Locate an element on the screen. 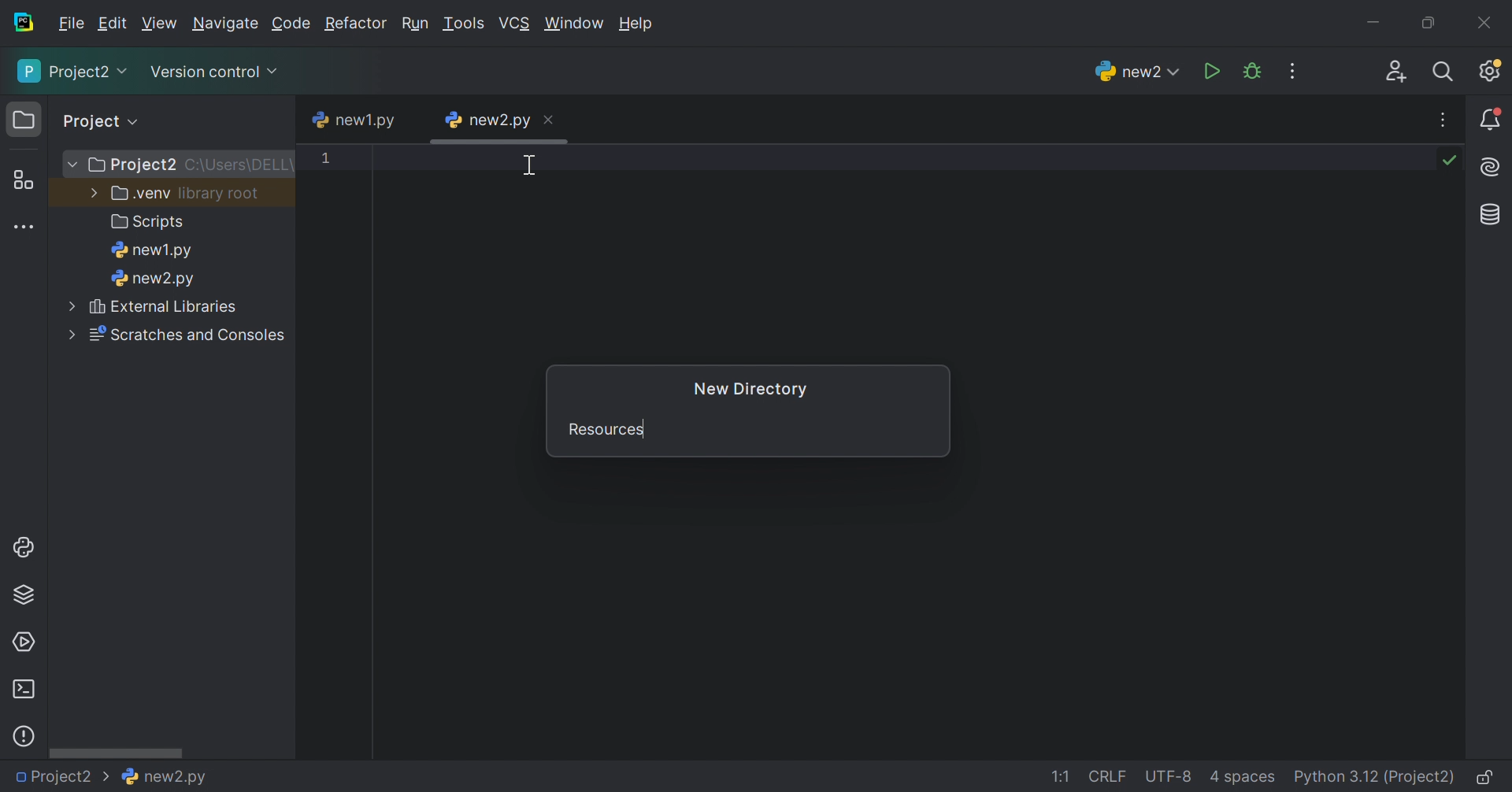 The width and height of the screenshot is (1512, 792). new2.py is located at coordinates (158, 279).